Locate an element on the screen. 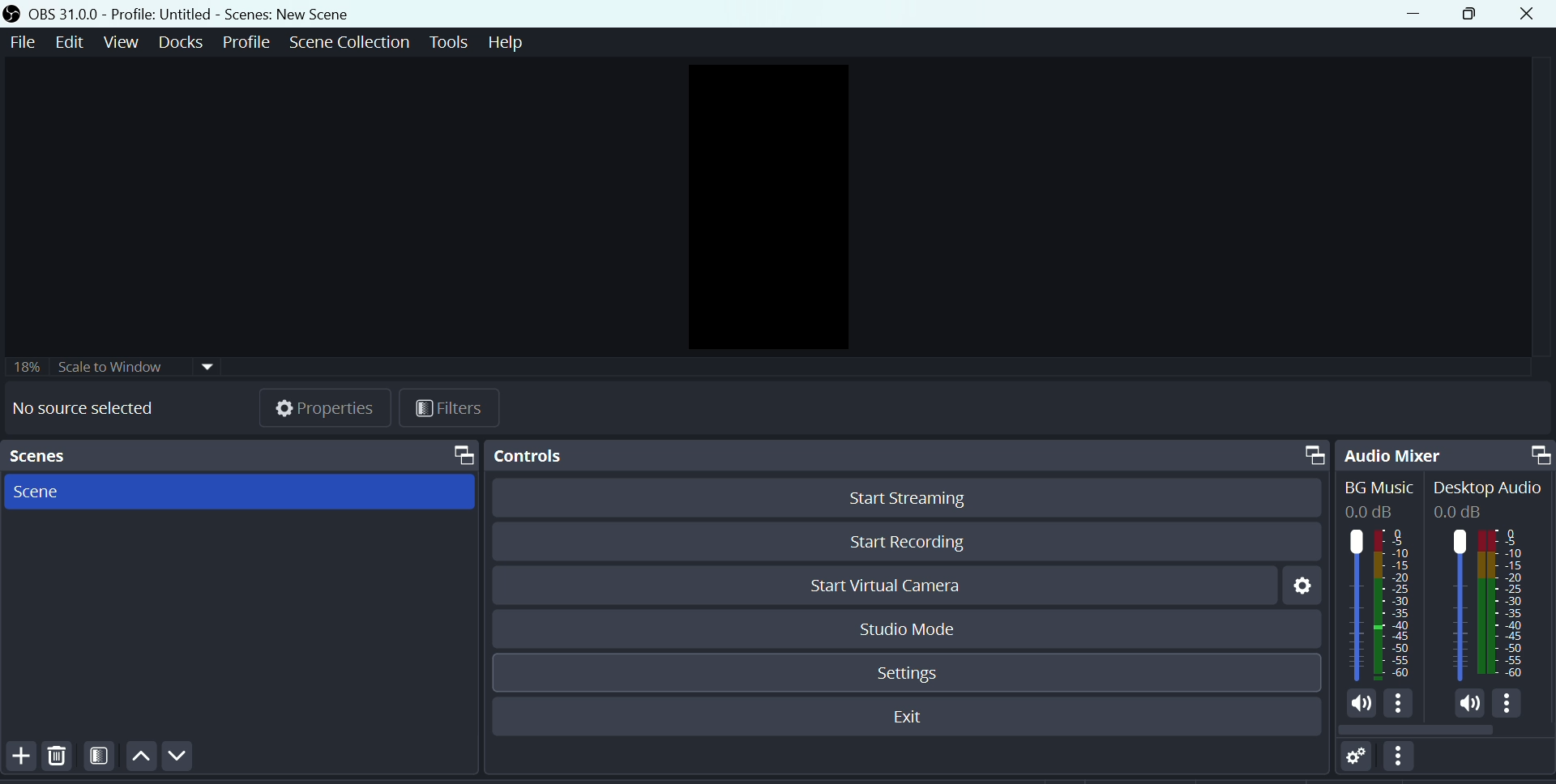  Filtres is located at coordinates (453, 409).